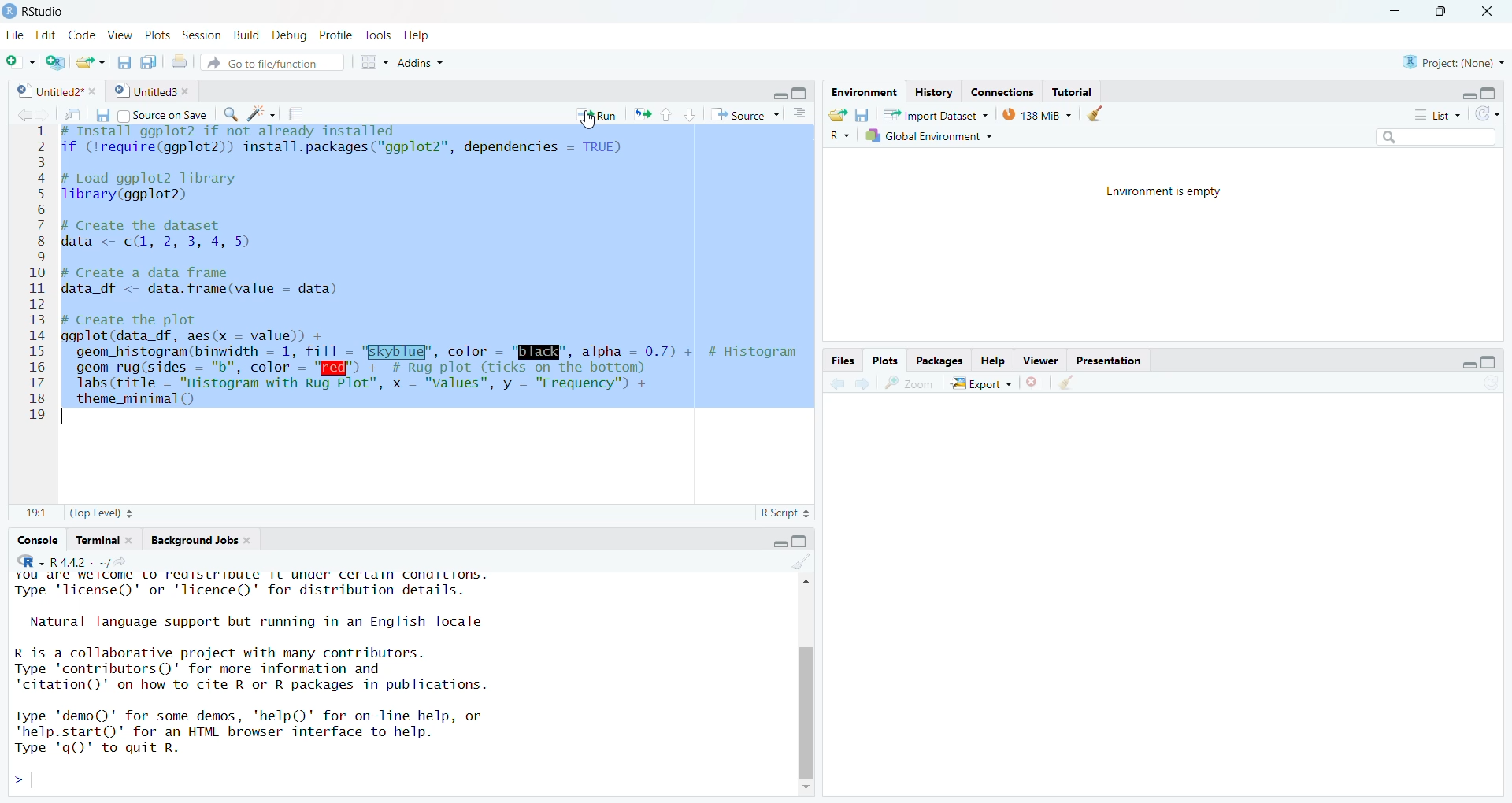  Describe the element at coordinates (1498, 113) in the screenshot. I see `refresh` at that location.